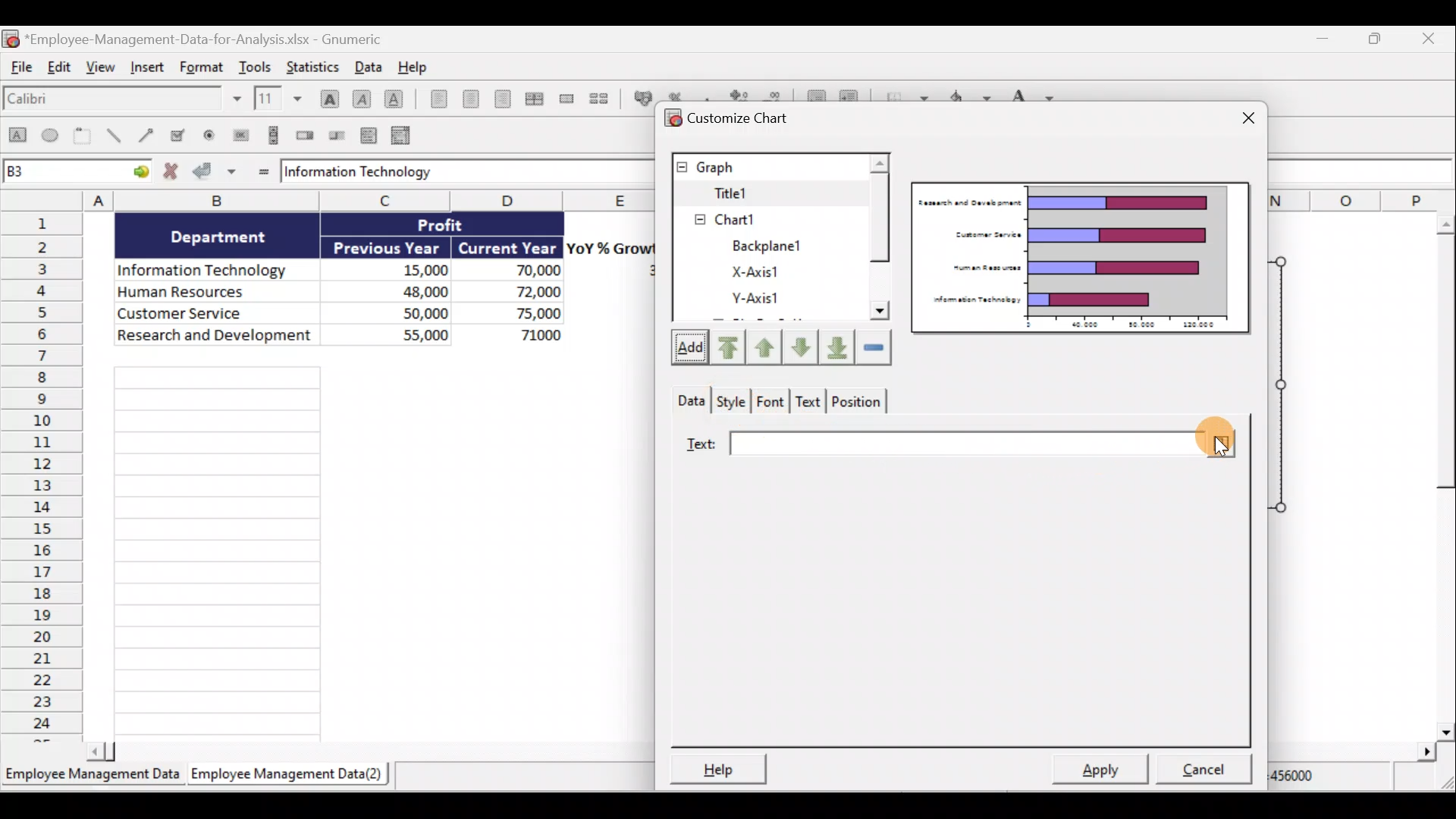 The width and height of the screenshot is (1456, 819). I want to click on Y-axis 1, so click(768, 271).